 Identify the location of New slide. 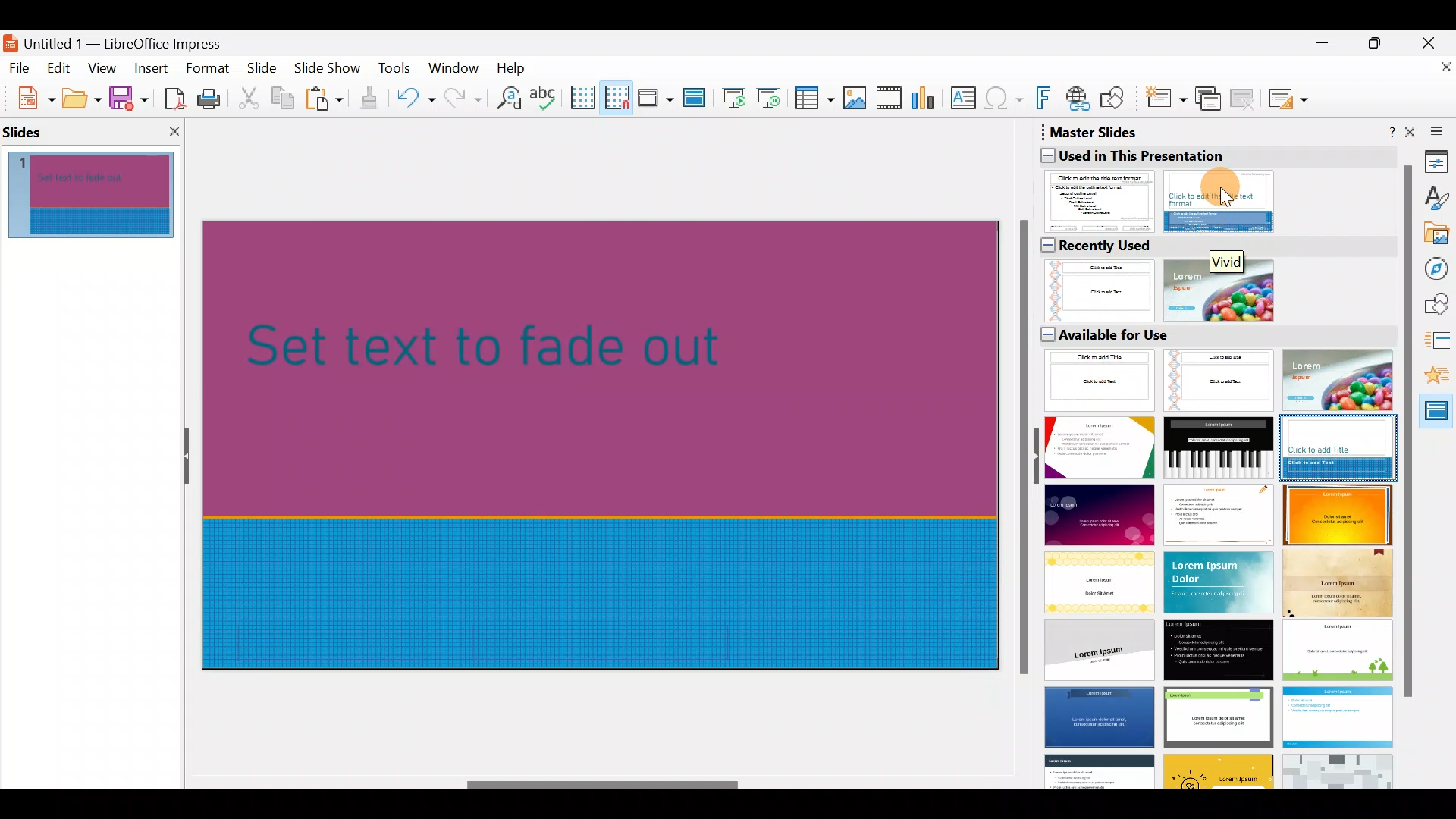
(1165, 102).